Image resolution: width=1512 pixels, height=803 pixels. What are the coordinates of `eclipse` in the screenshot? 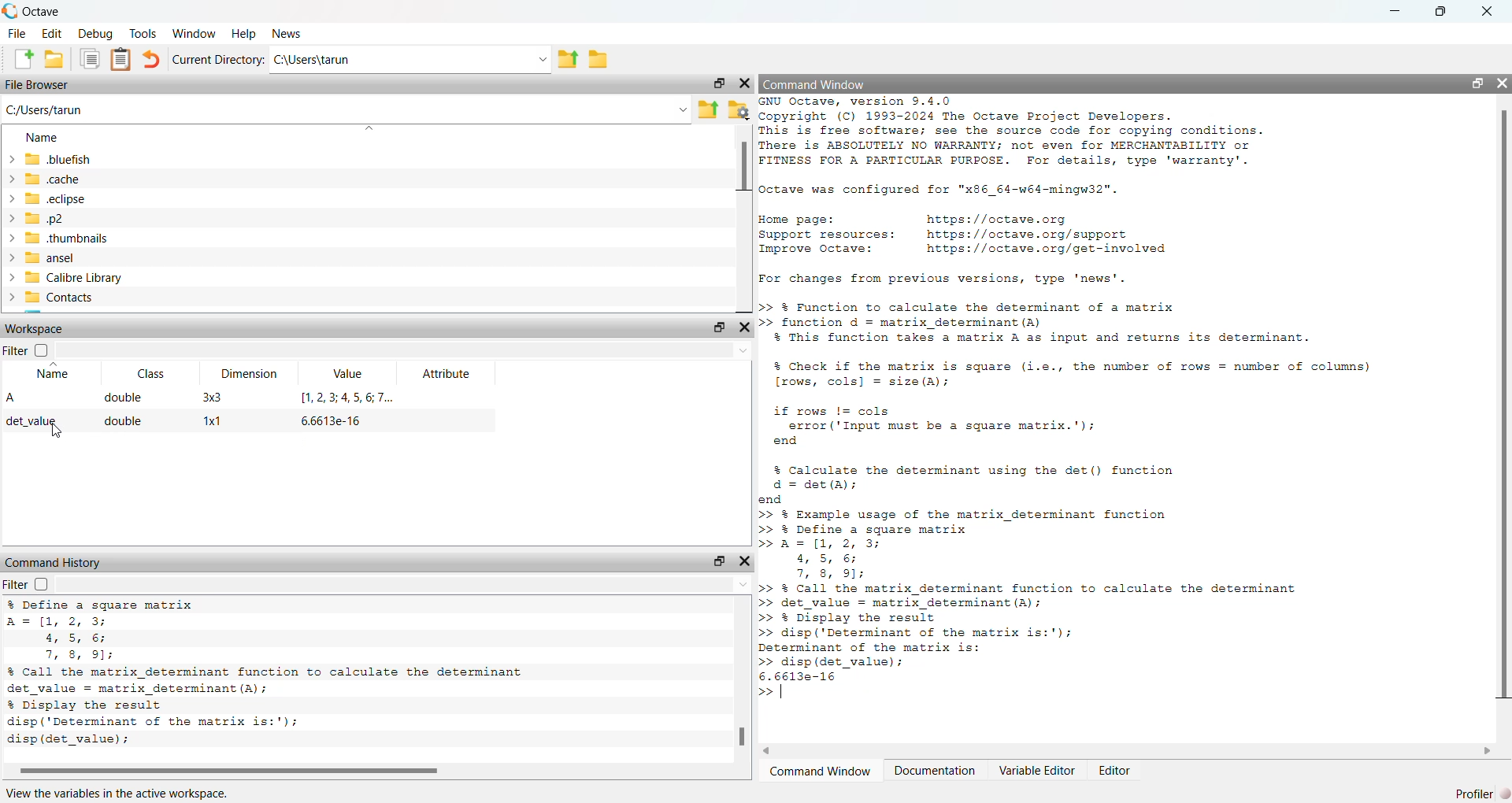 It's located at (50, 200).